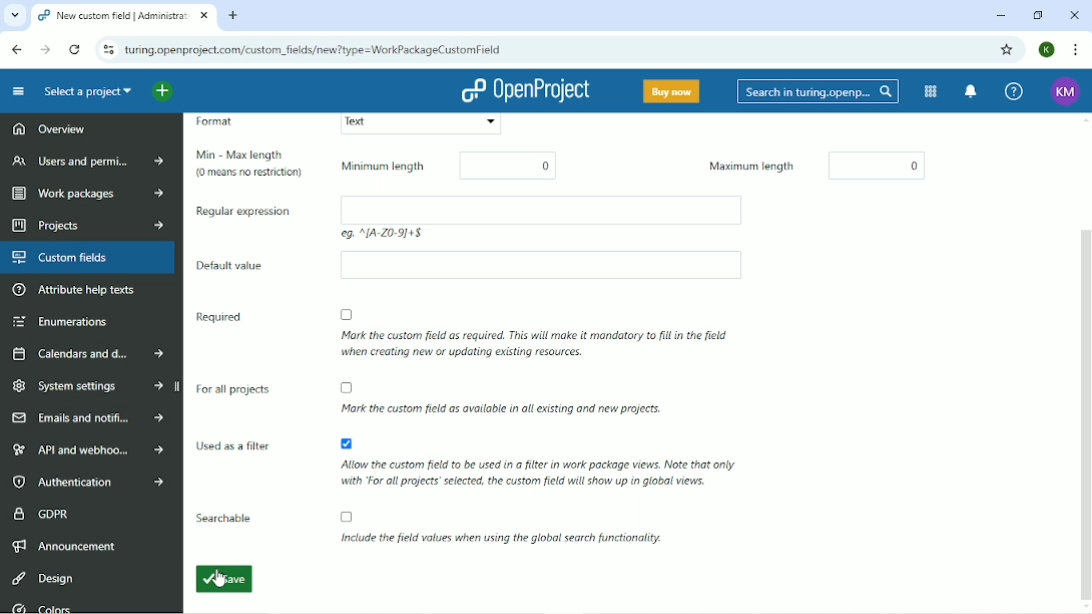 This screenshot has width=1092, height=614. Describe the element at coordinates (385, 169) in the screenshot. I see `Munimum length` at that location.